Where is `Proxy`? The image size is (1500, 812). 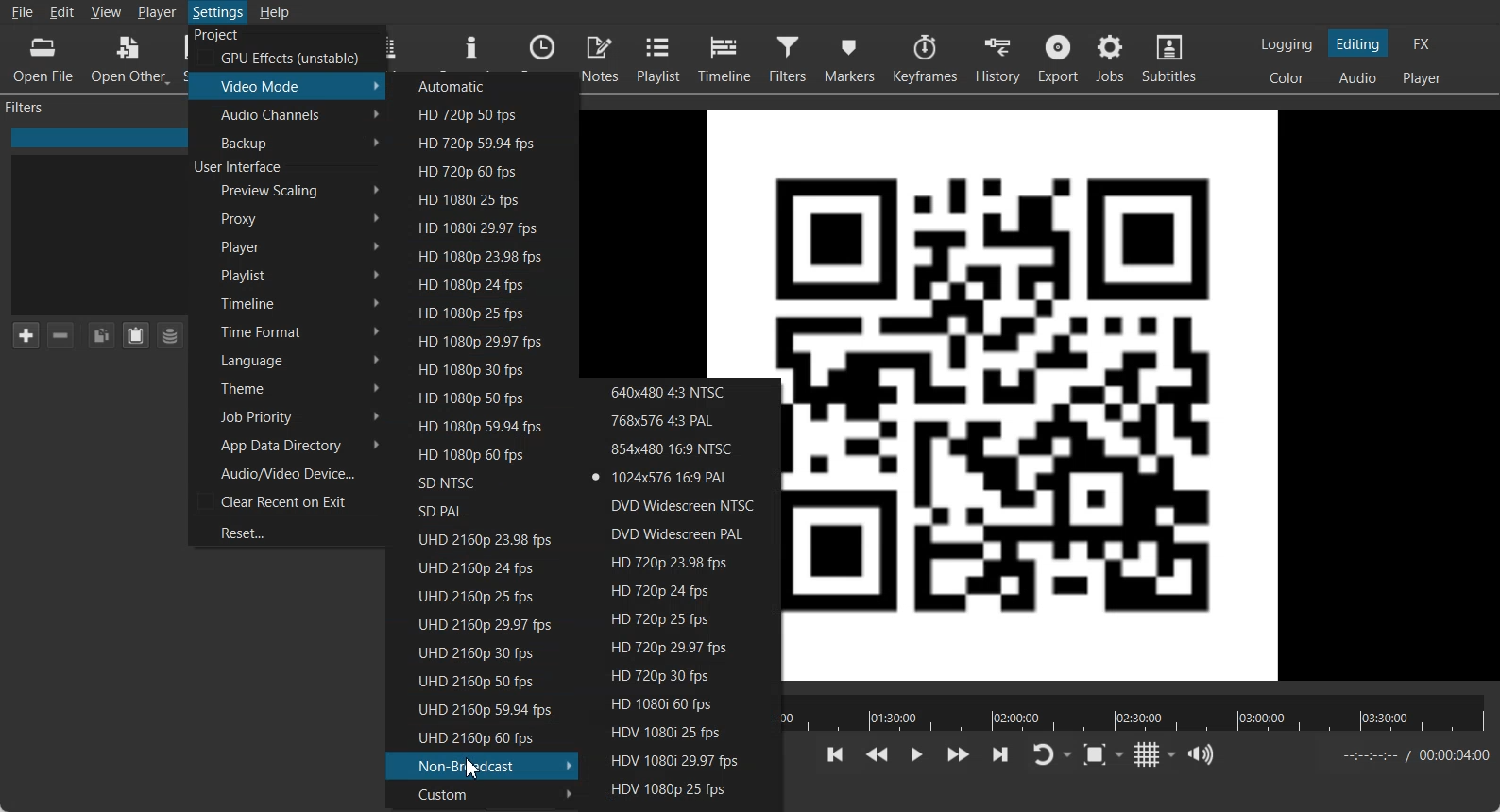 Proxy is located at coordinates (288, 218).